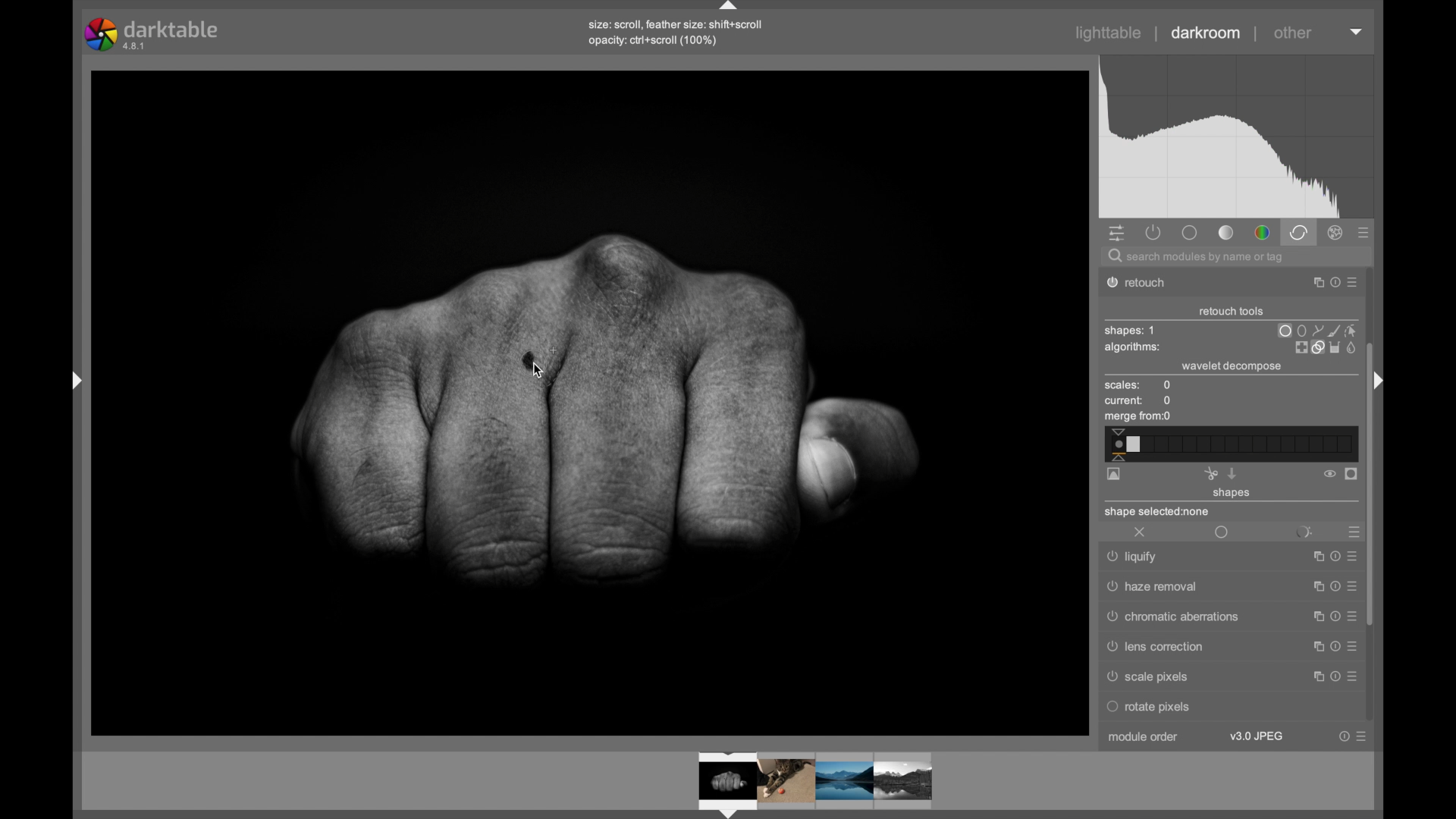 The height and width of the screenshot is (819, 1456). Describe the element at coordinates (1138, 386) in the screenshot. I see `scales: 0` at that location.